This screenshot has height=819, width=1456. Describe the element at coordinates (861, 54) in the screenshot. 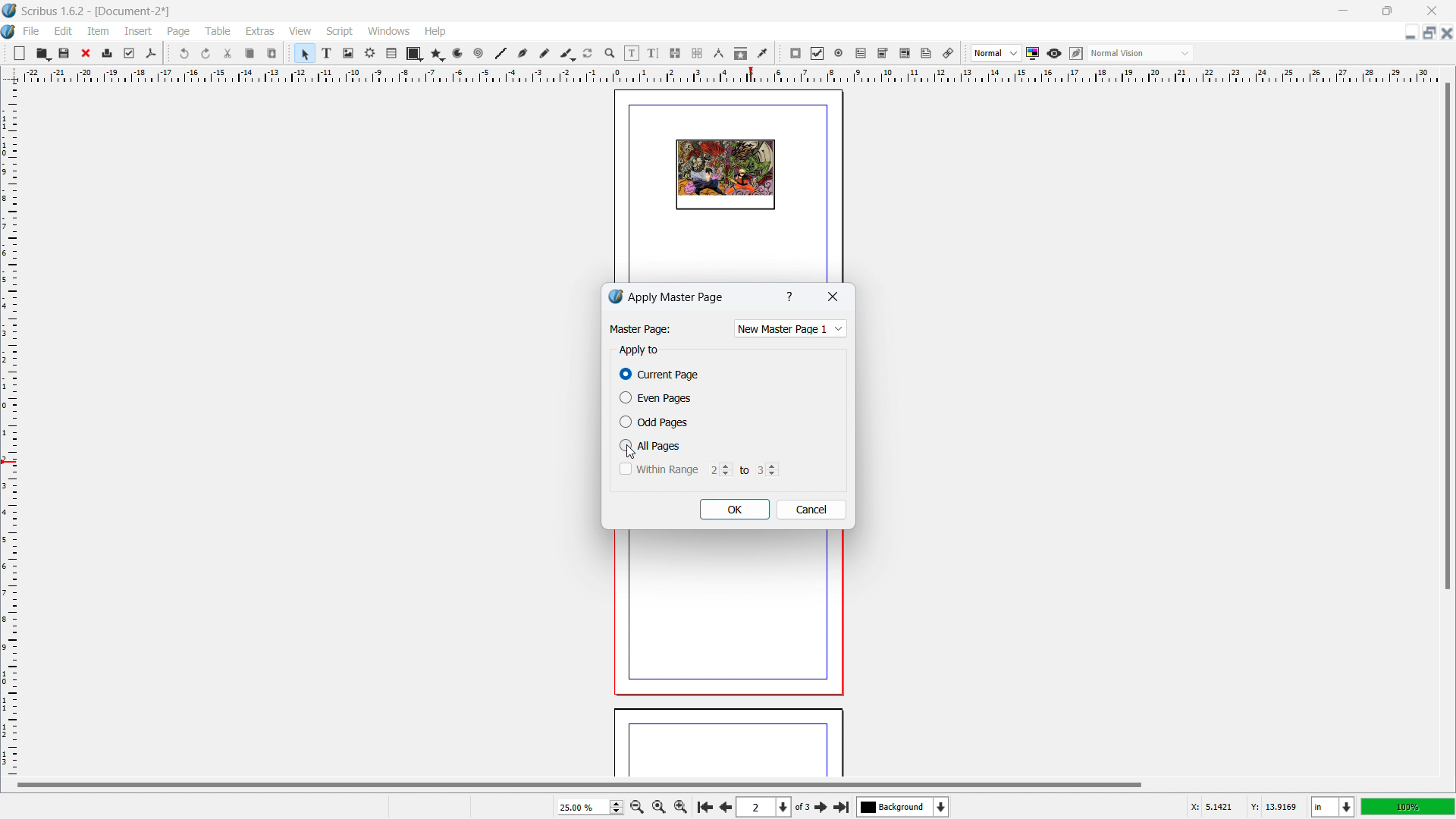

I see `pdf text field` at that location.